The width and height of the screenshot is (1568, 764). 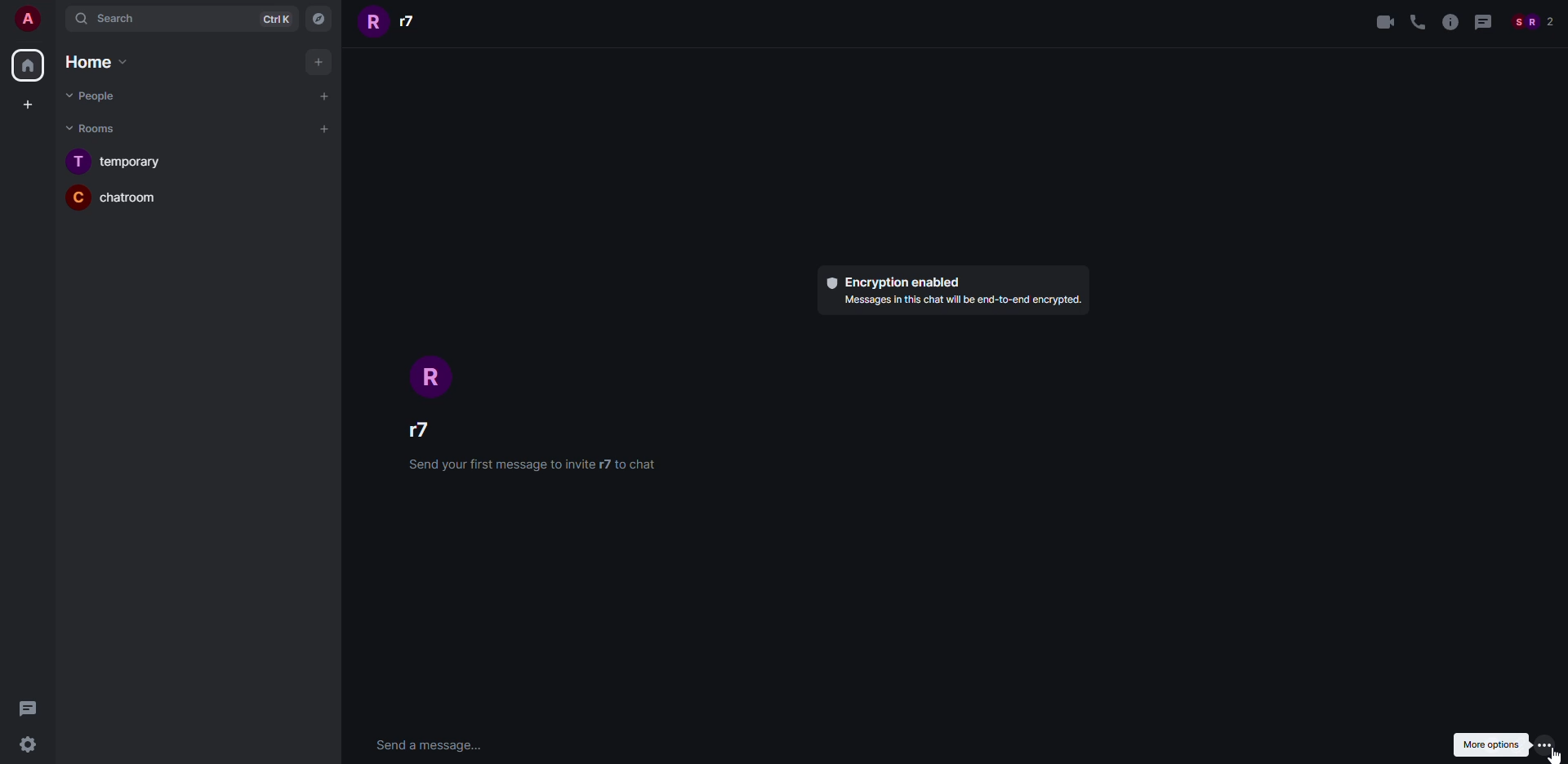 I want to click on Temporary, so click(x=115, y=160).